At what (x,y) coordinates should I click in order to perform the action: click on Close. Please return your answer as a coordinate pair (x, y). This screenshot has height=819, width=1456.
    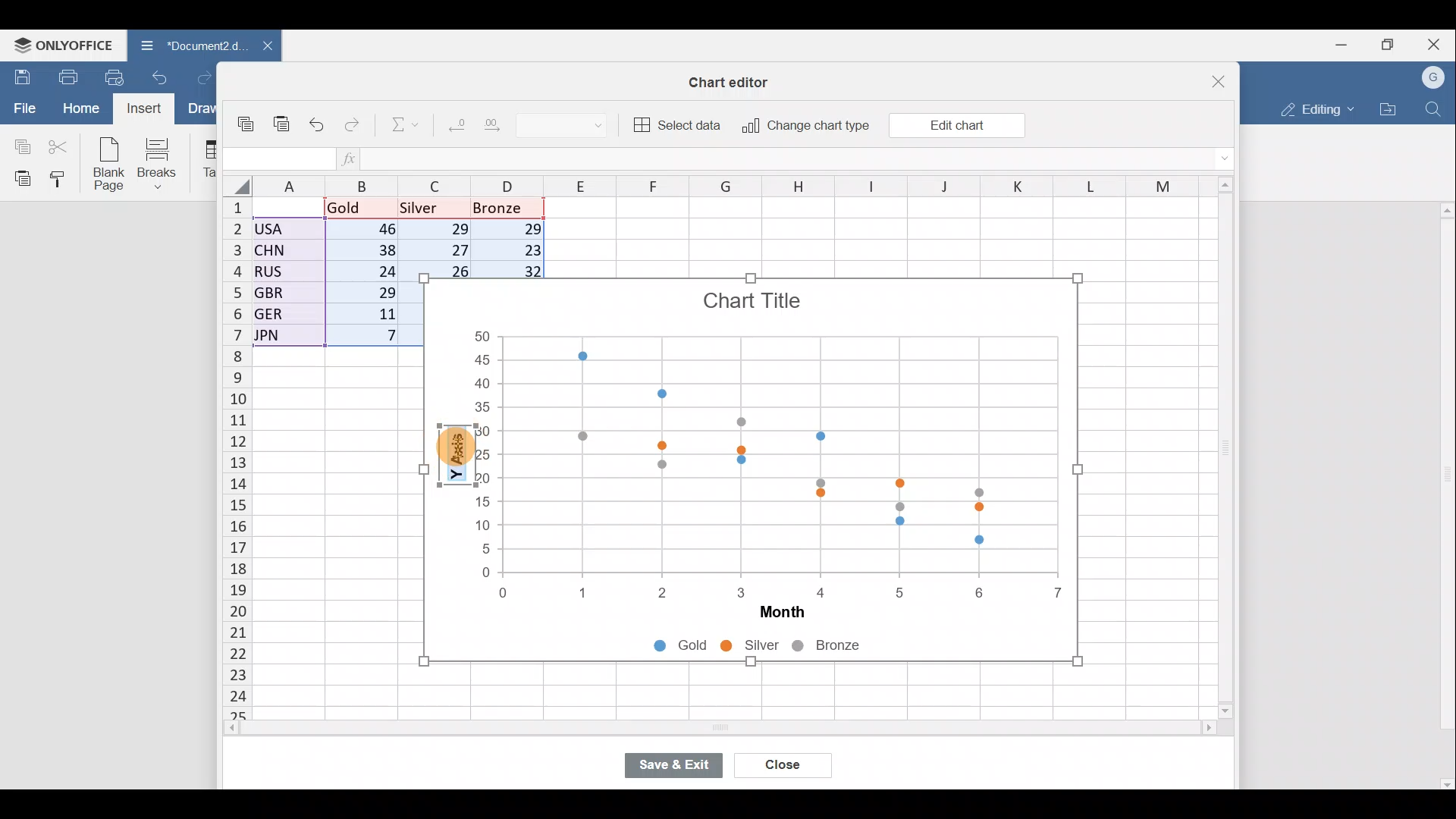
    Looking at the image, I should click on (1209, 76).